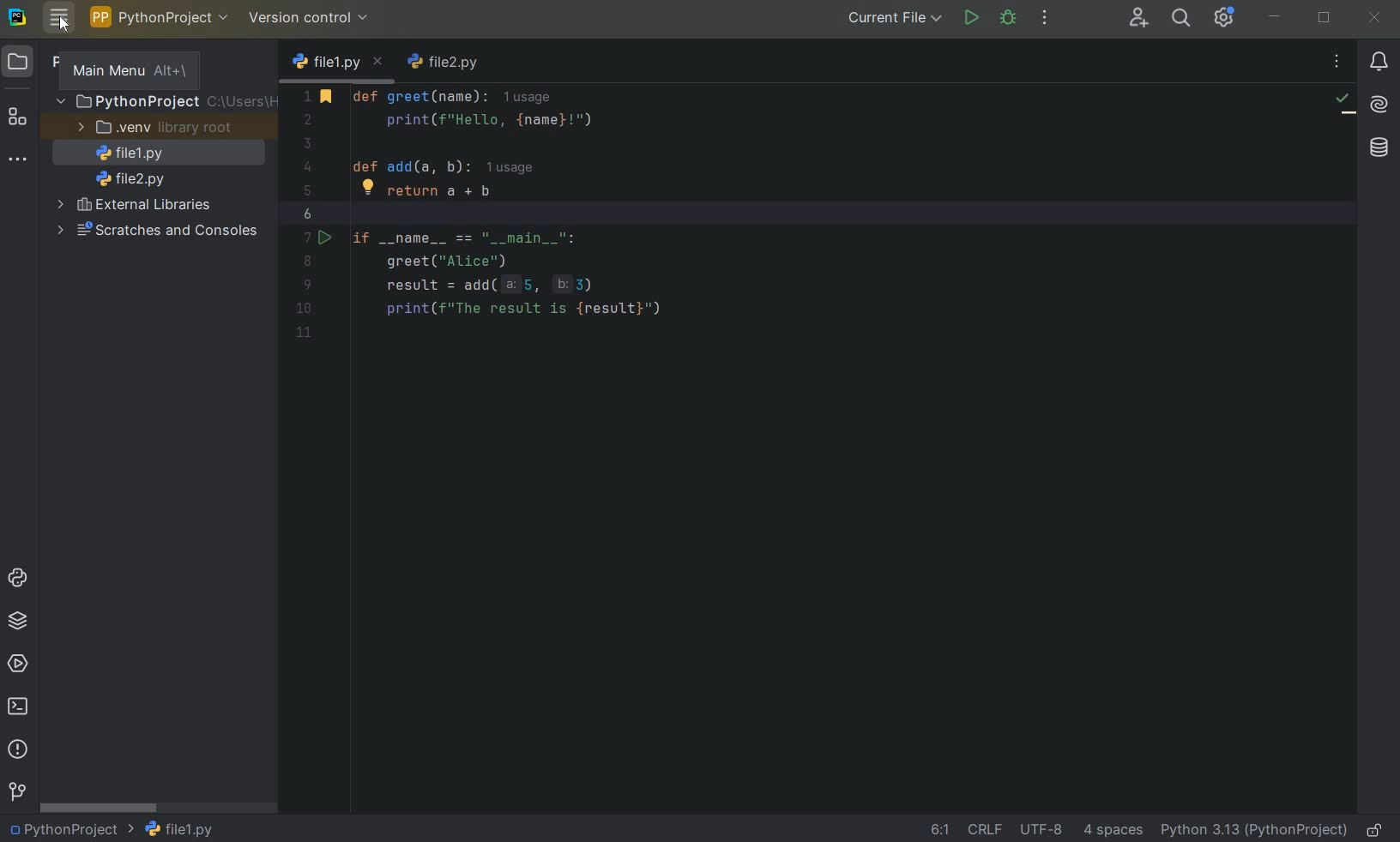  I want to click on problems, so click(18, 749).